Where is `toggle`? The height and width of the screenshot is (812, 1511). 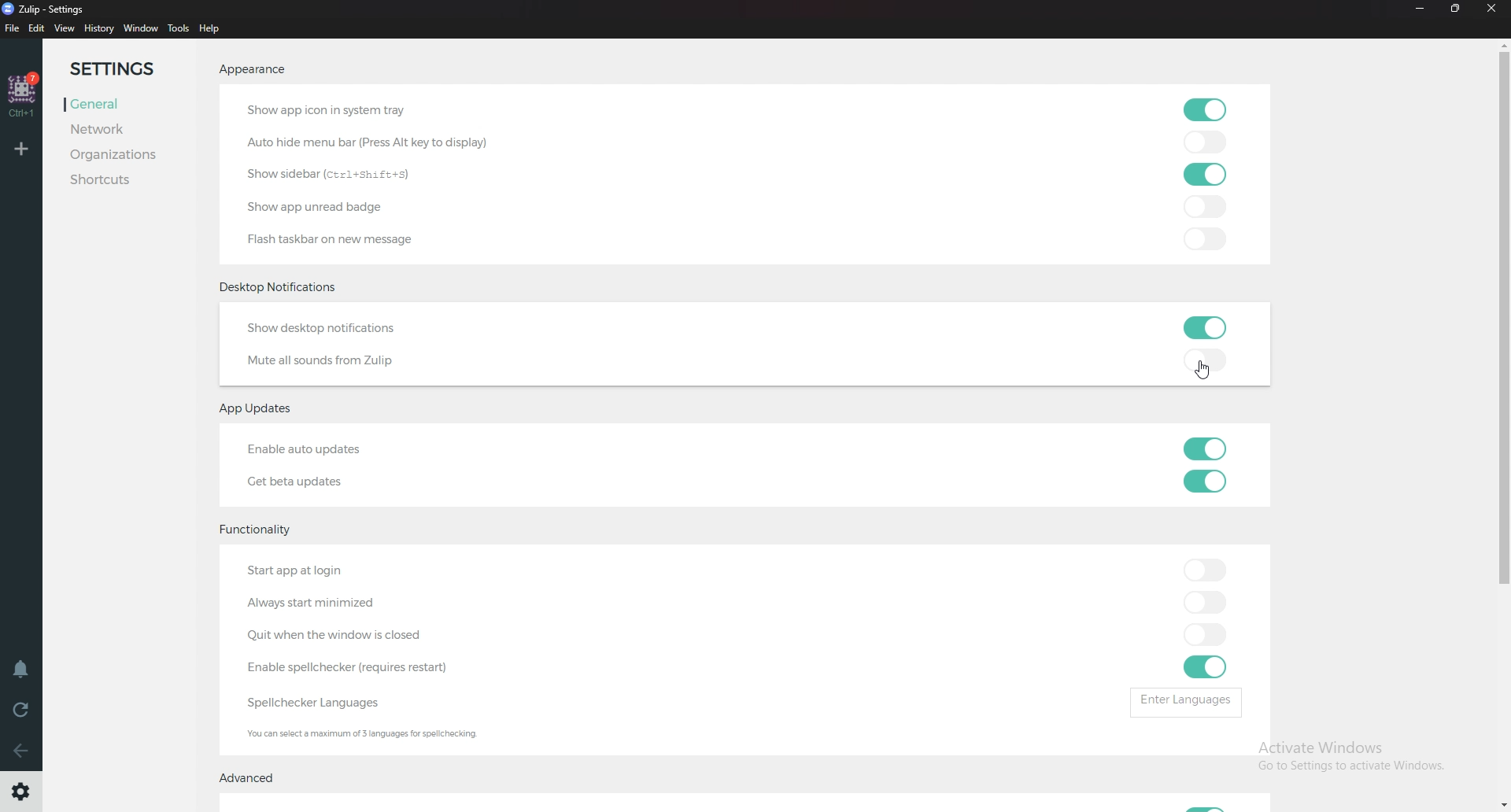
toggle is located at coordinates (1206, 448).